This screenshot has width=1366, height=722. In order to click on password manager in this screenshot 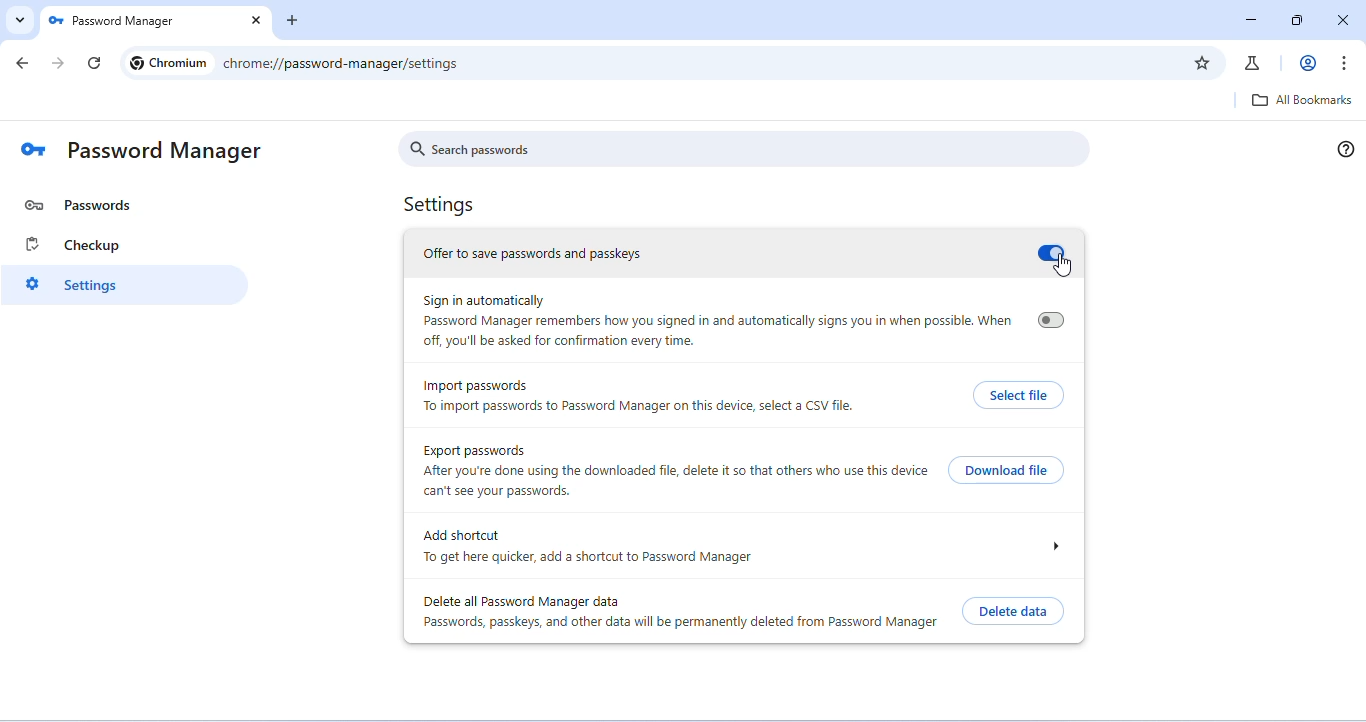, I will do `click(169, 152)`.